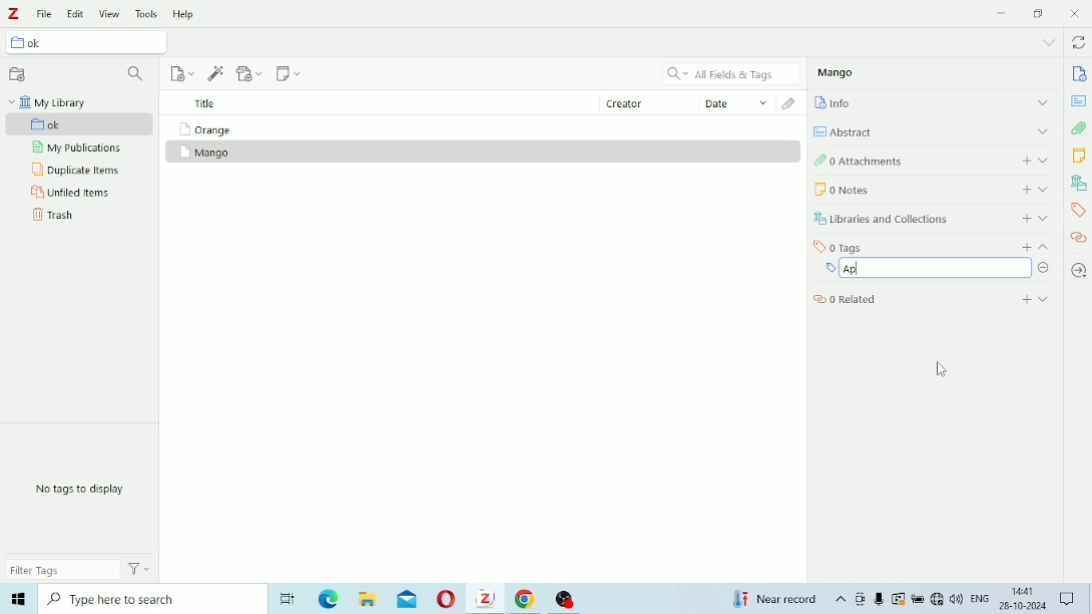  Describe the element at coordinates (926, 298) in the screenshot. I see `Related` at that location.